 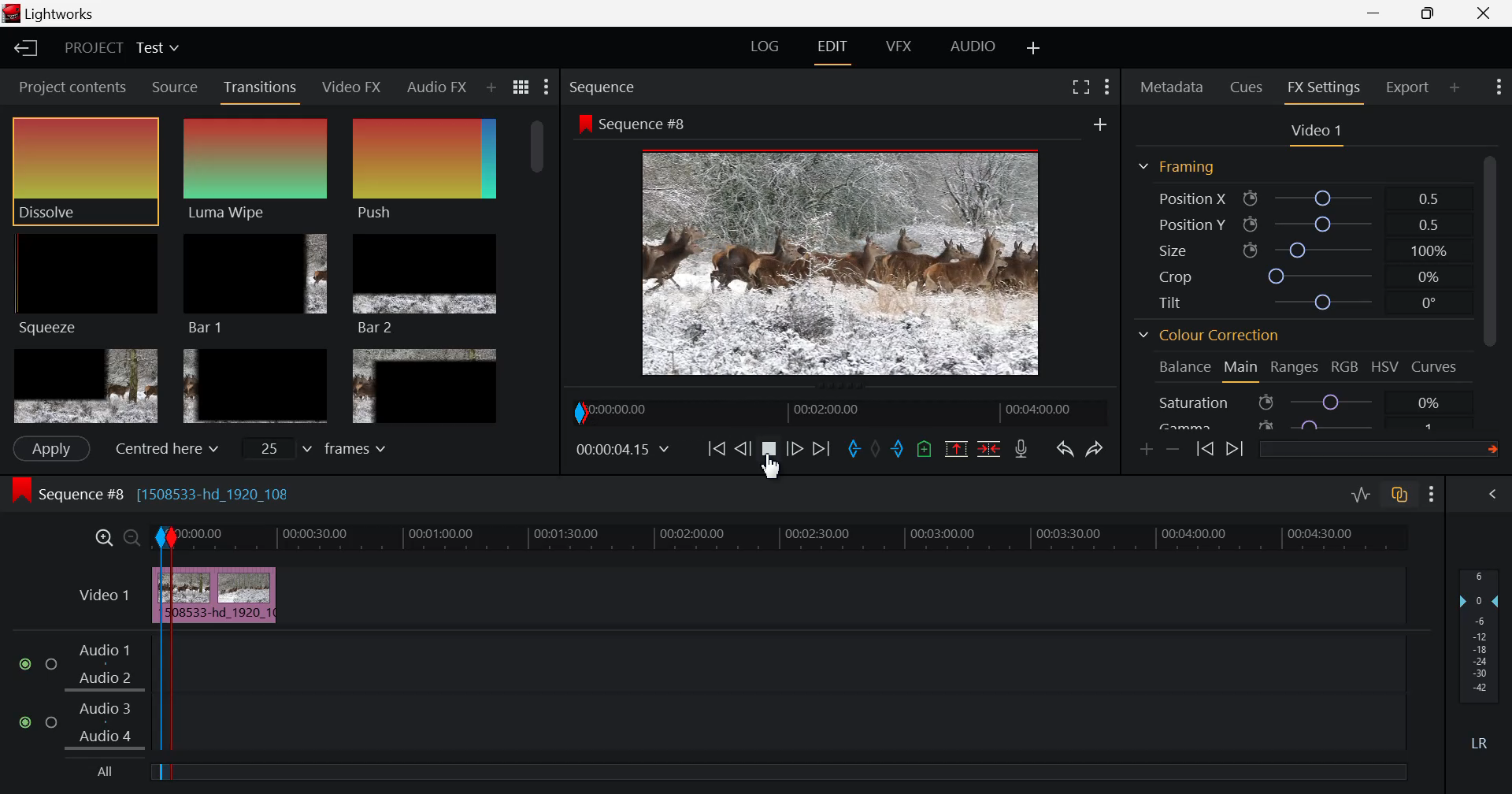 I want to click on Audio Level, so click(x=1484, y=661).